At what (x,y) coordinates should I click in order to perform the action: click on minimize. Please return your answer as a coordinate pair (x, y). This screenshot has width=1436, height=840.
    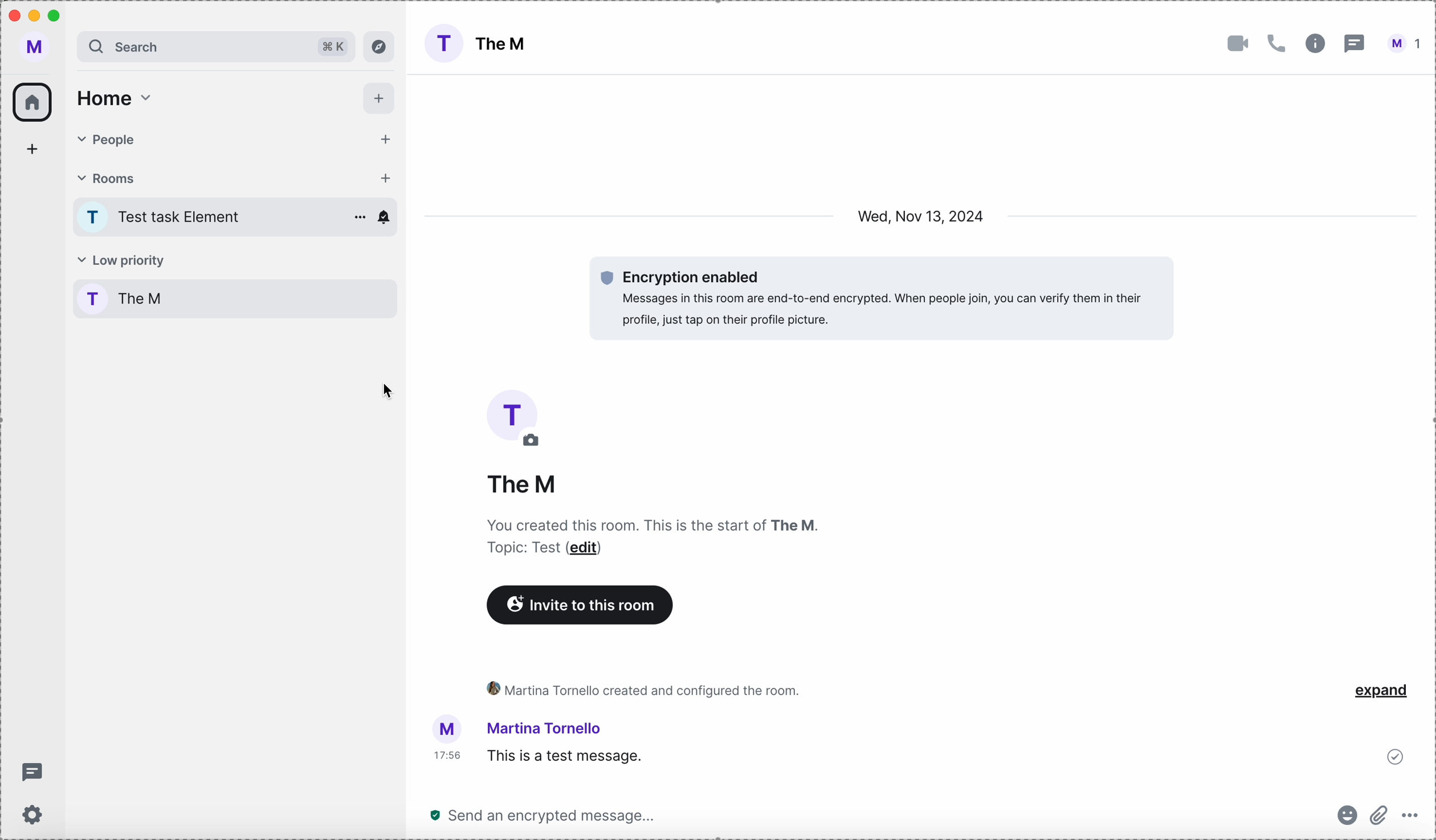
    Looking at the image, I should click on (35, 16).